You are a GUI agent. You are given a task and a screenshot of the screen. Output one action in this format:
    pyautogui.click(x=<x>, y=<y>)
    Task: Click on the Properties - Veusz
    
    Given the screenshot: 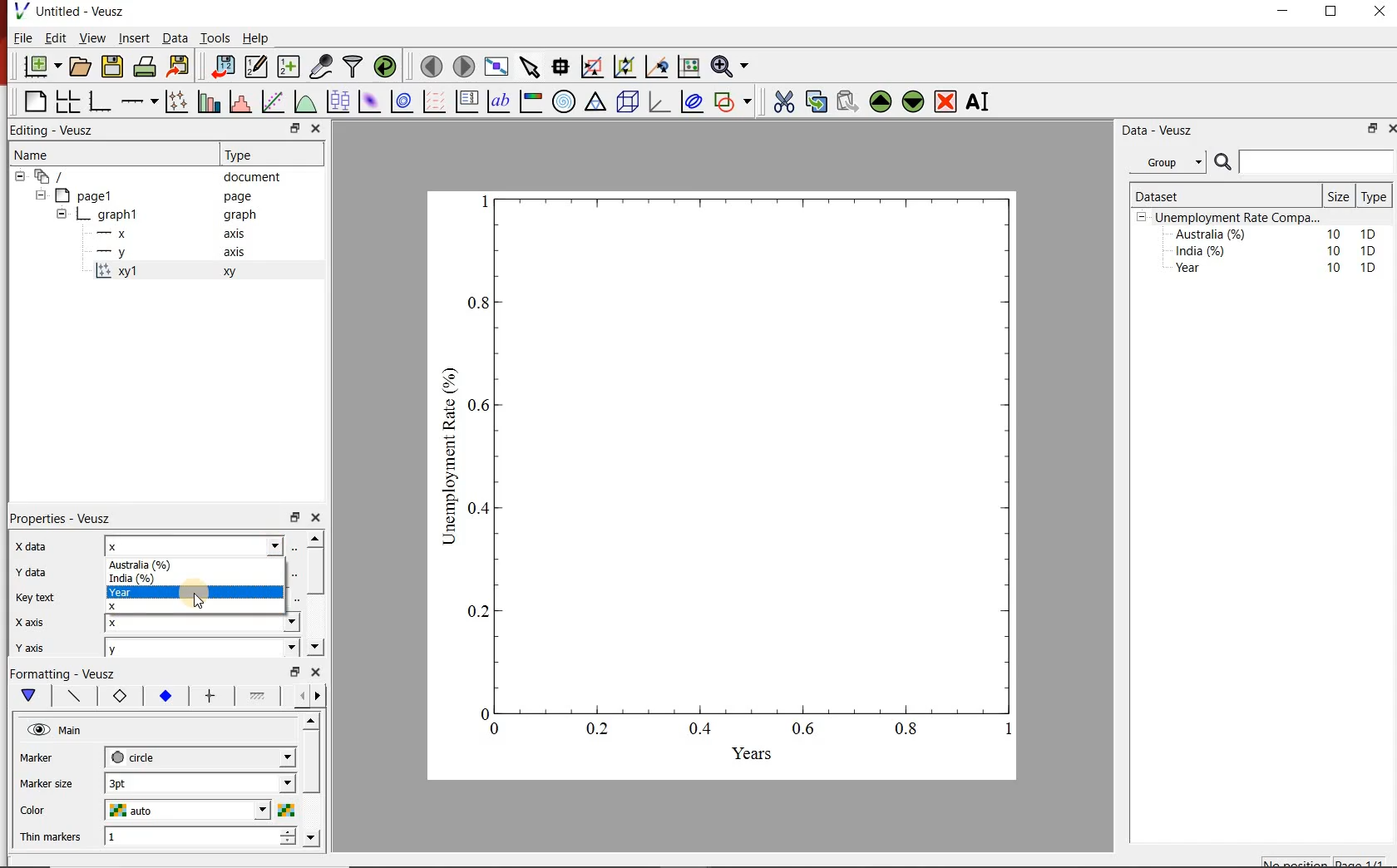 What is the action you would take?
    pyautogui.click(x=63, y=520)
    